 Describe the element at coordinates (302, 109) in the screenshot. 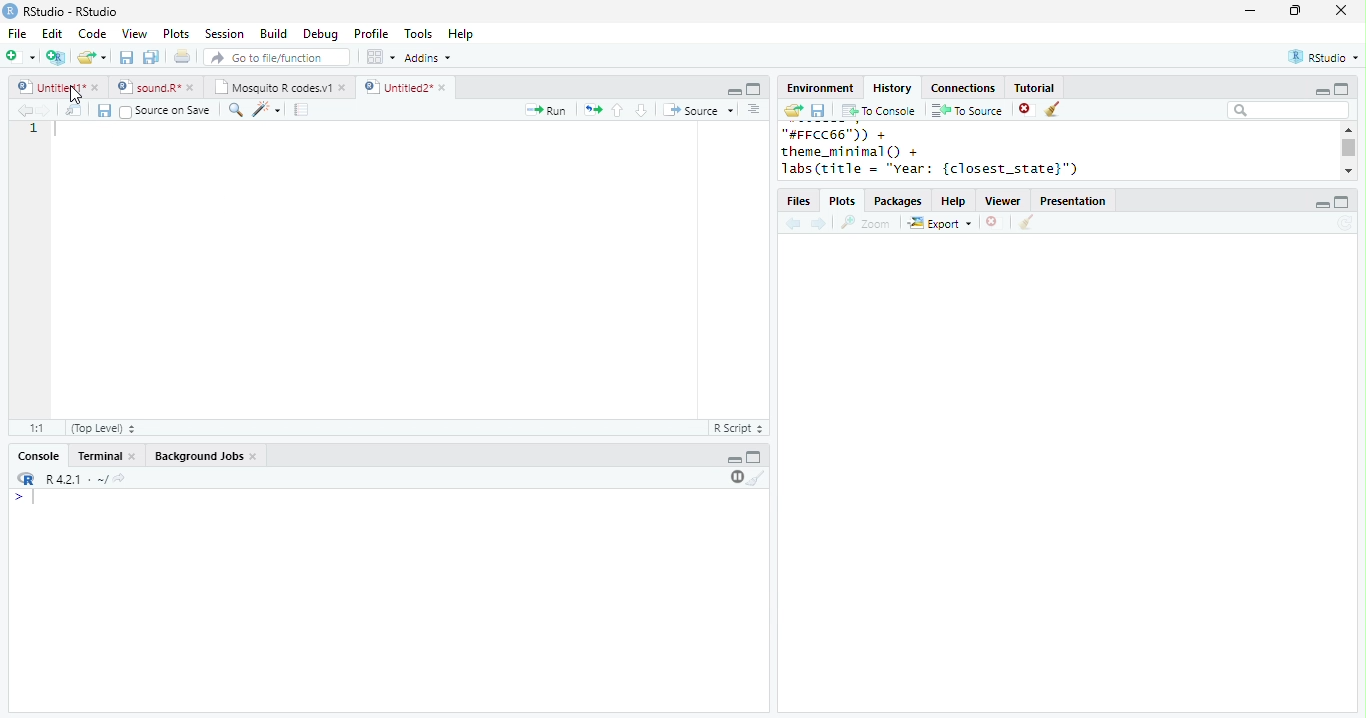

I see `compile report` at that location.